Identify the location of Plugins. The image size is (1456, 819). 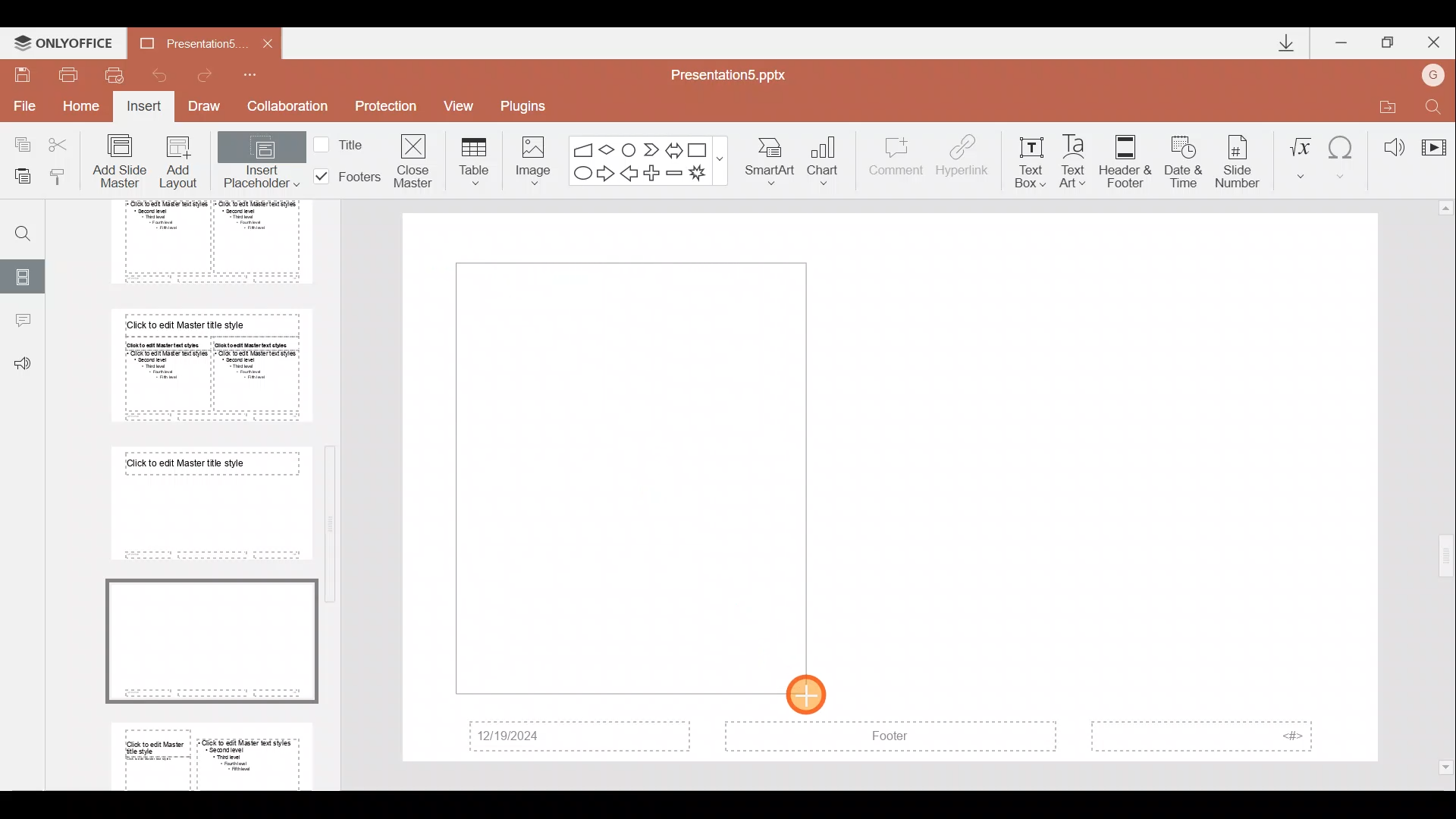
(529, 104).